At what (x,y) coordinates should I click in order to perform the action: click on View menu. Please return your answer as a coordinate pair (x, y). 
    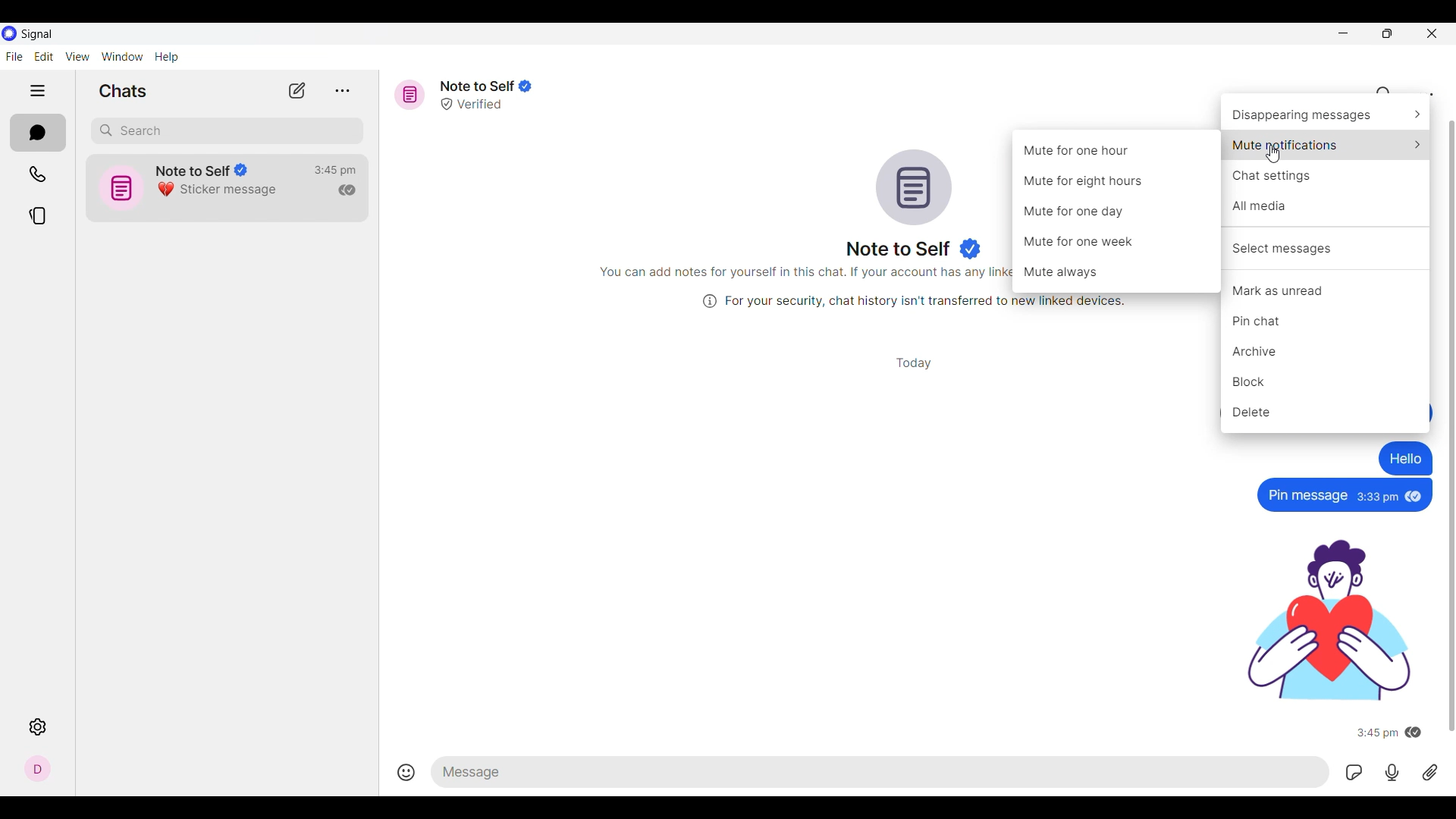
    Looking at the image, I should click on (77, 56).